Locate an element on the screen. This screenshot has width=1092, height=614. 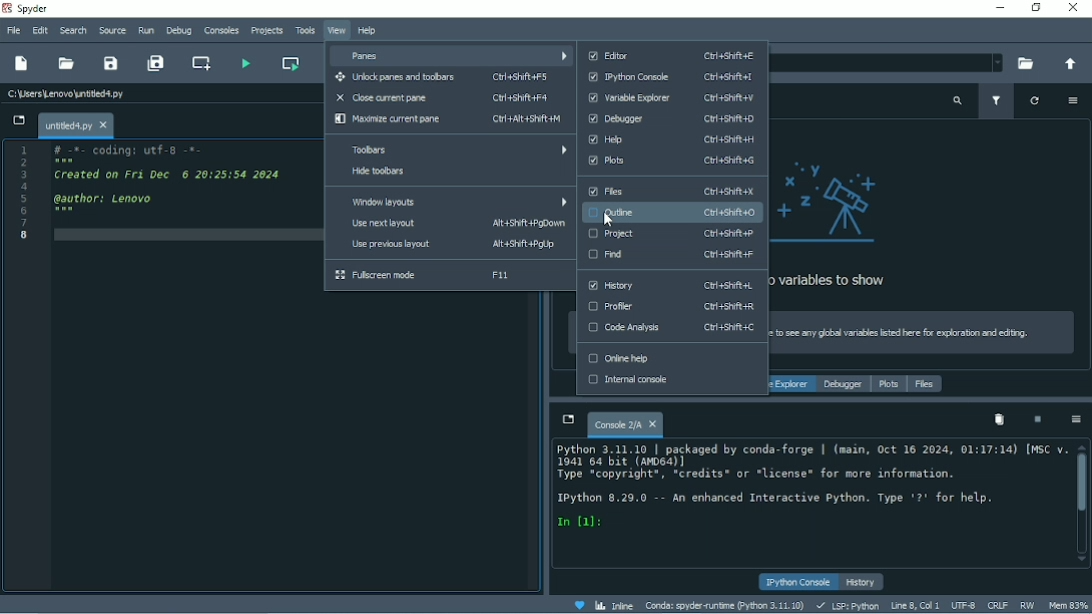
Interrupt kernel is located at coordinates (1038, 419).